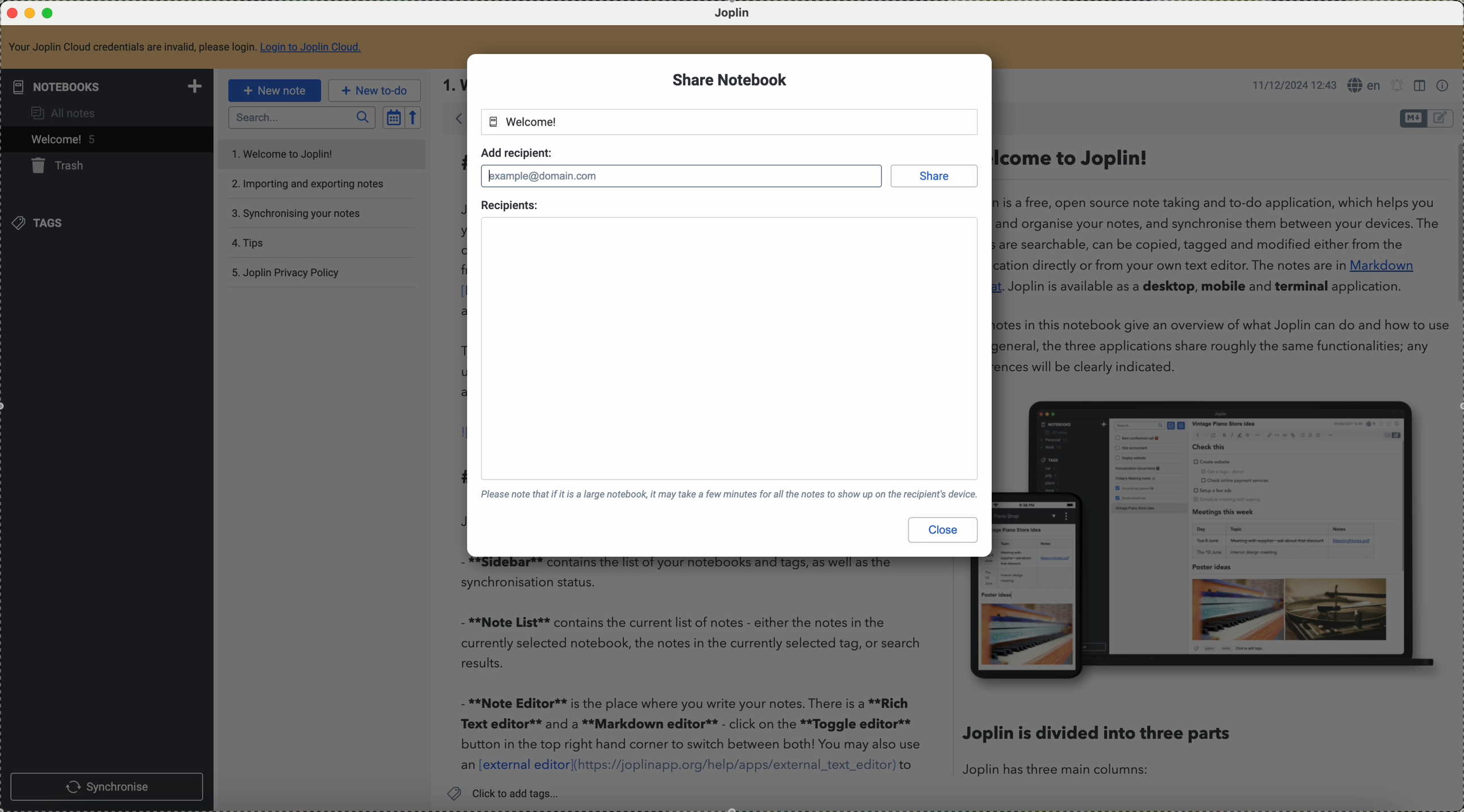 The width and height of the screenshot is (1464, 812). Describe the element at coordinates (186, 47) in the screenshot. I see `your Joplin Cloud credentials are invalid, please login to Joplin Cloud` at that location.